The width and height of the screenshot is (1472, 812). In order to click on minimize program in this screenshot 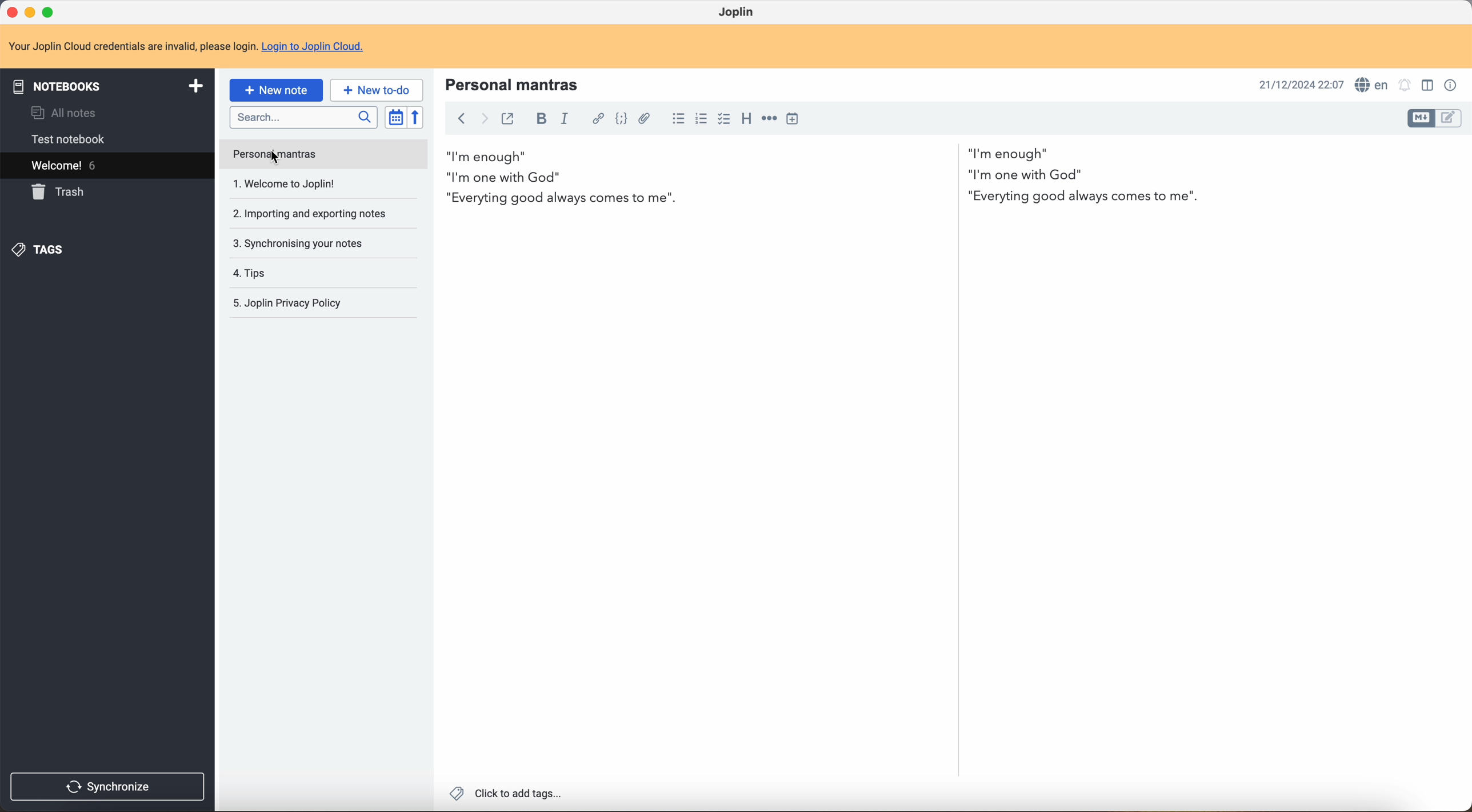, I will do `click(32, 14)`.